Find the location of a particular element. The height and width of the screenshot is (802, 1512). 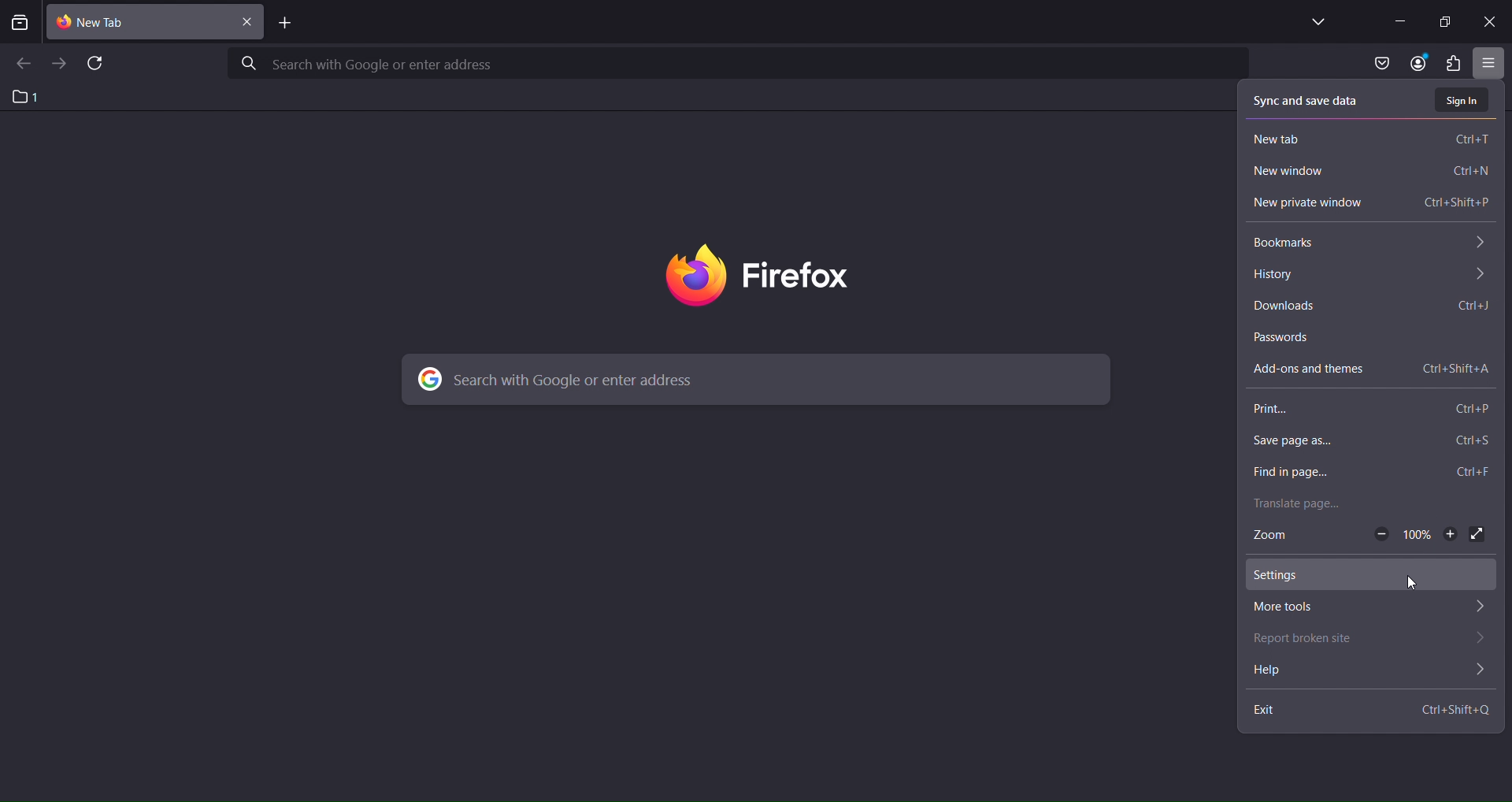

accounts is located at coordinates (1422, 64).